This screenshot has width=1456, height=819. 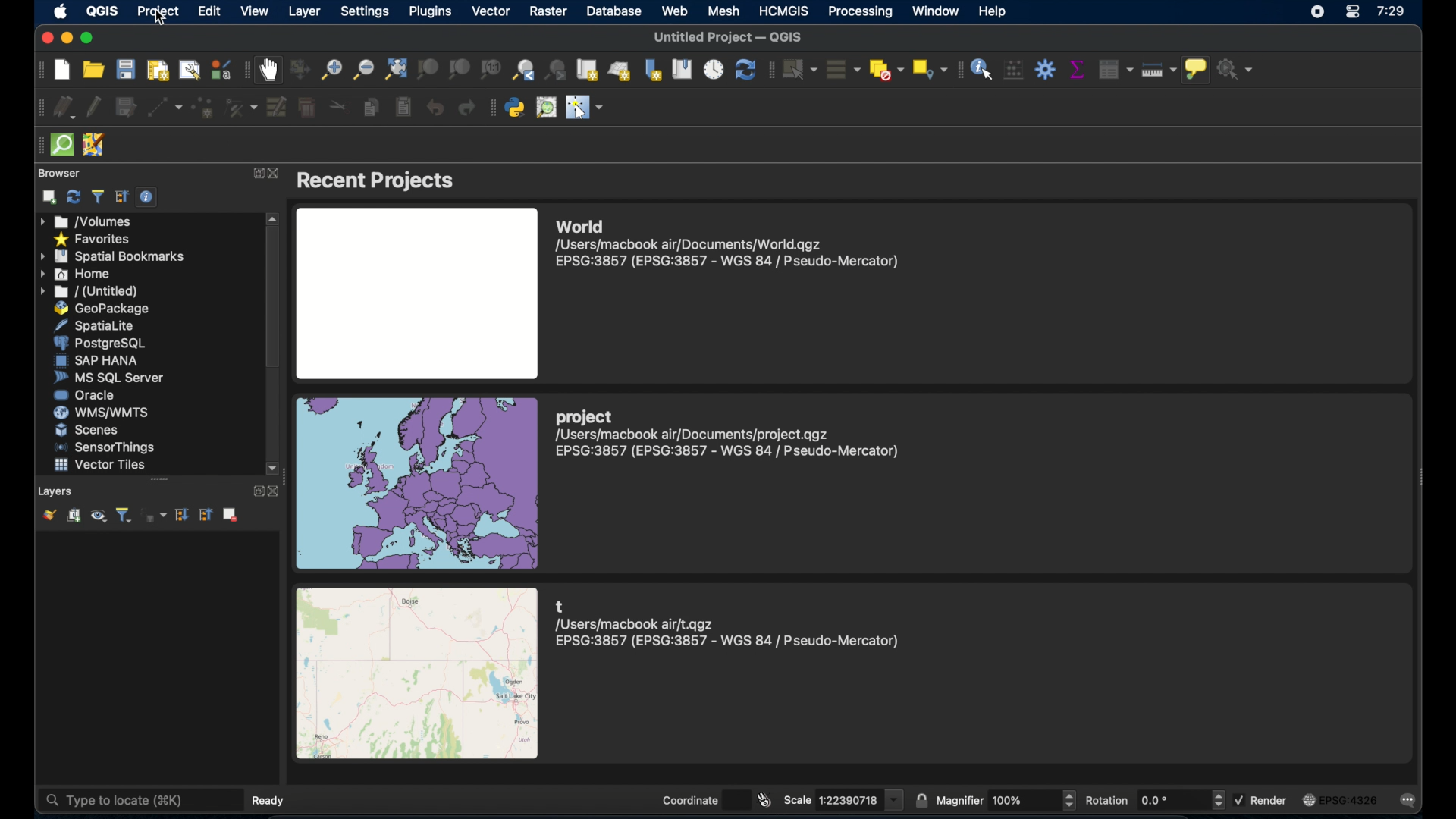 What do you see at coordinates (90, 221) in the screenshot?
I see `volumes` at bounding box center [90, 221].